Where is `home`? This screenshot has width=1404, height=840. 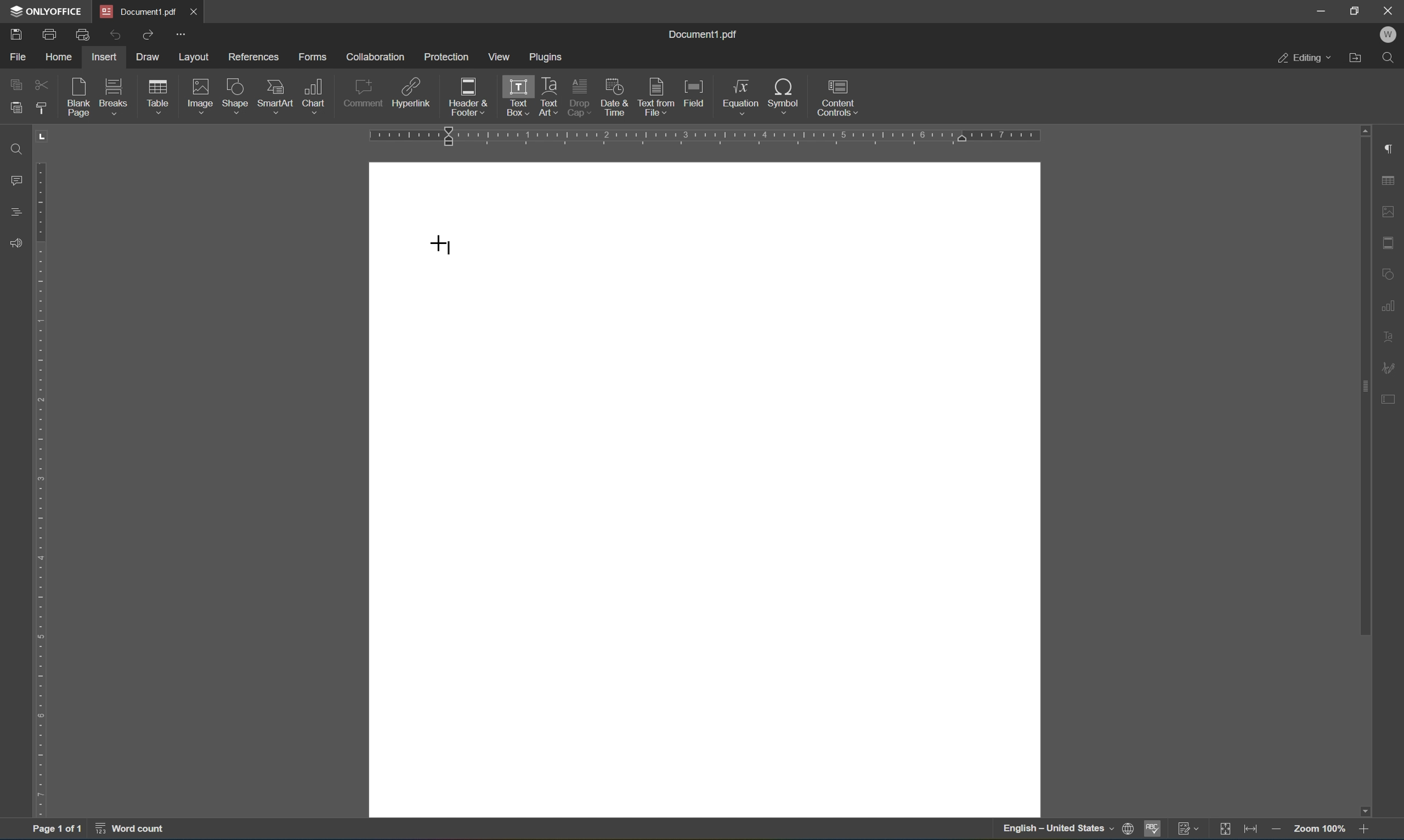
home is located at coordinates (61, 57).